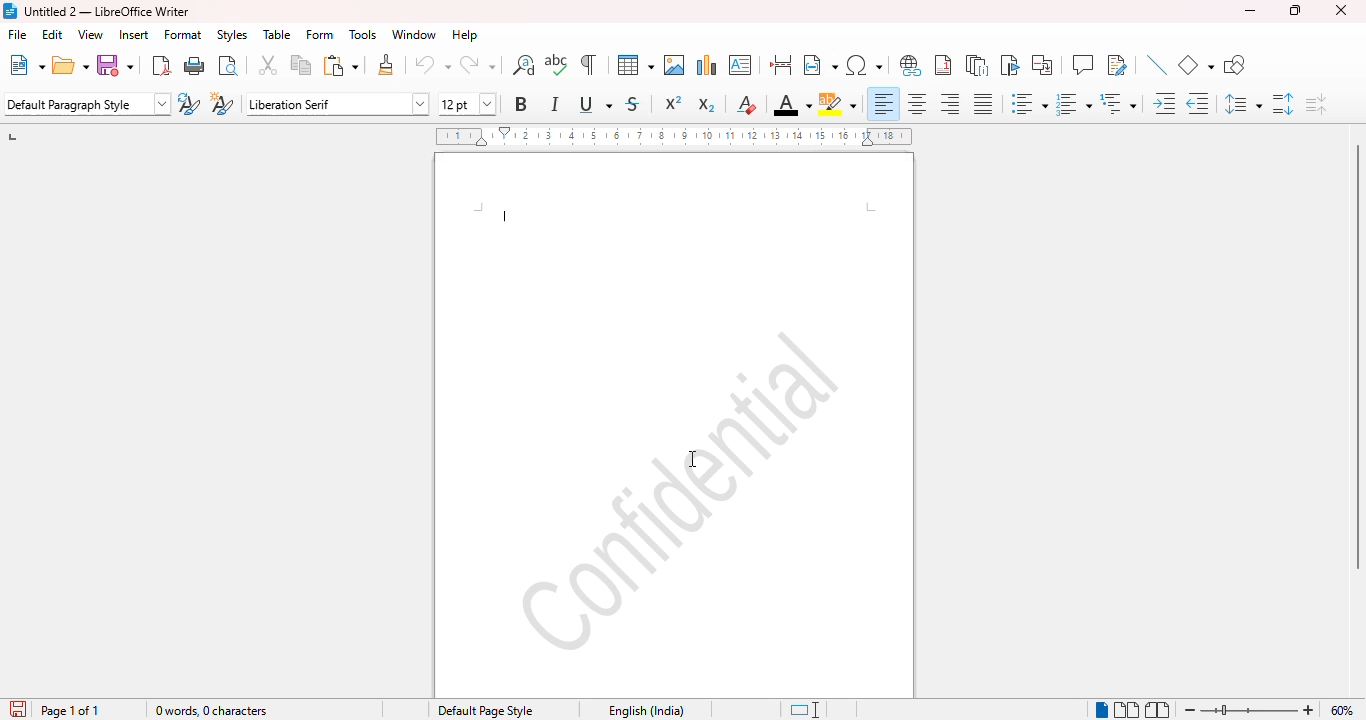 This screenshot has height=720, width=1366. Describe the element at coordinates (477, 65) in the screenshot. I see `redo` at that location.